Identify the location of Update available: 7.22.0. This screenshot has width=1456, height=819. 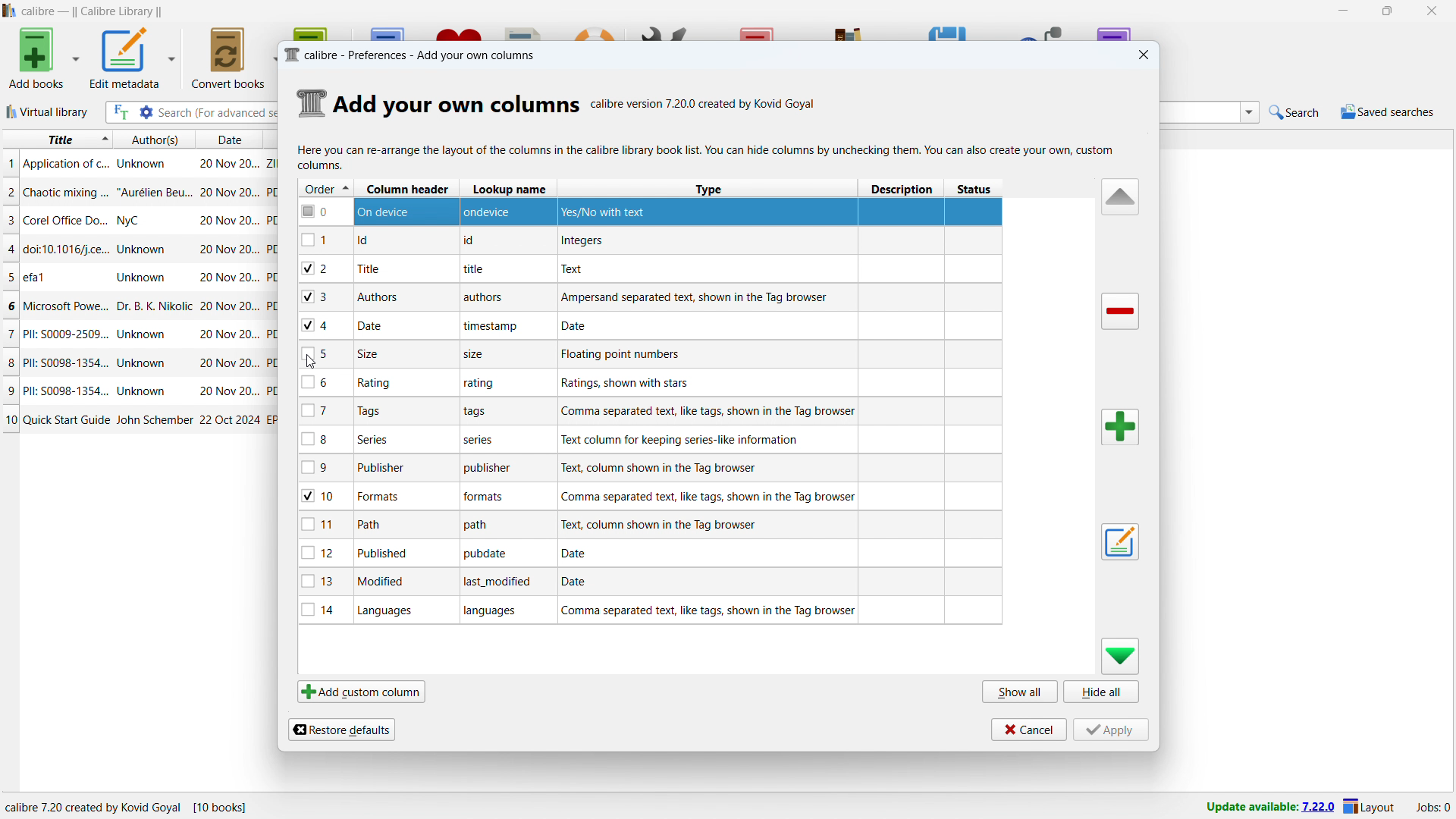
(1266, 805).